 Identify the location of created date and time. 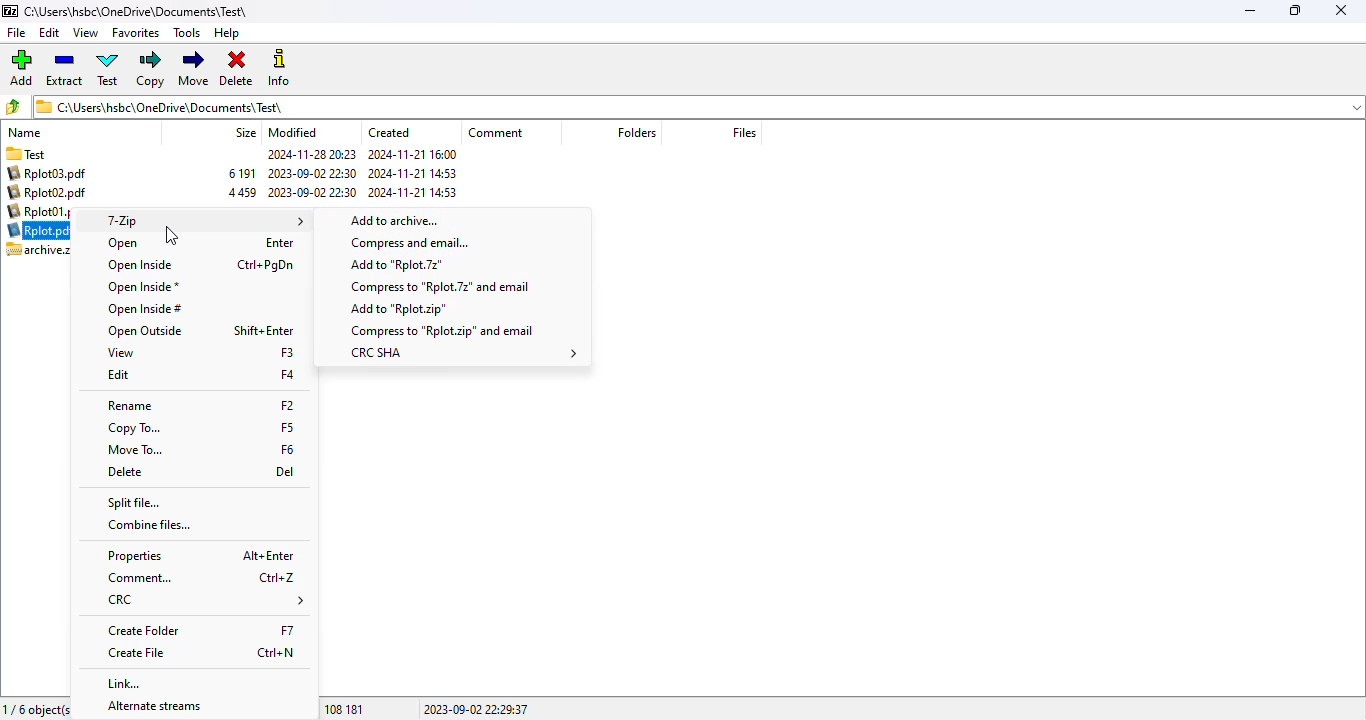
(413, 175).